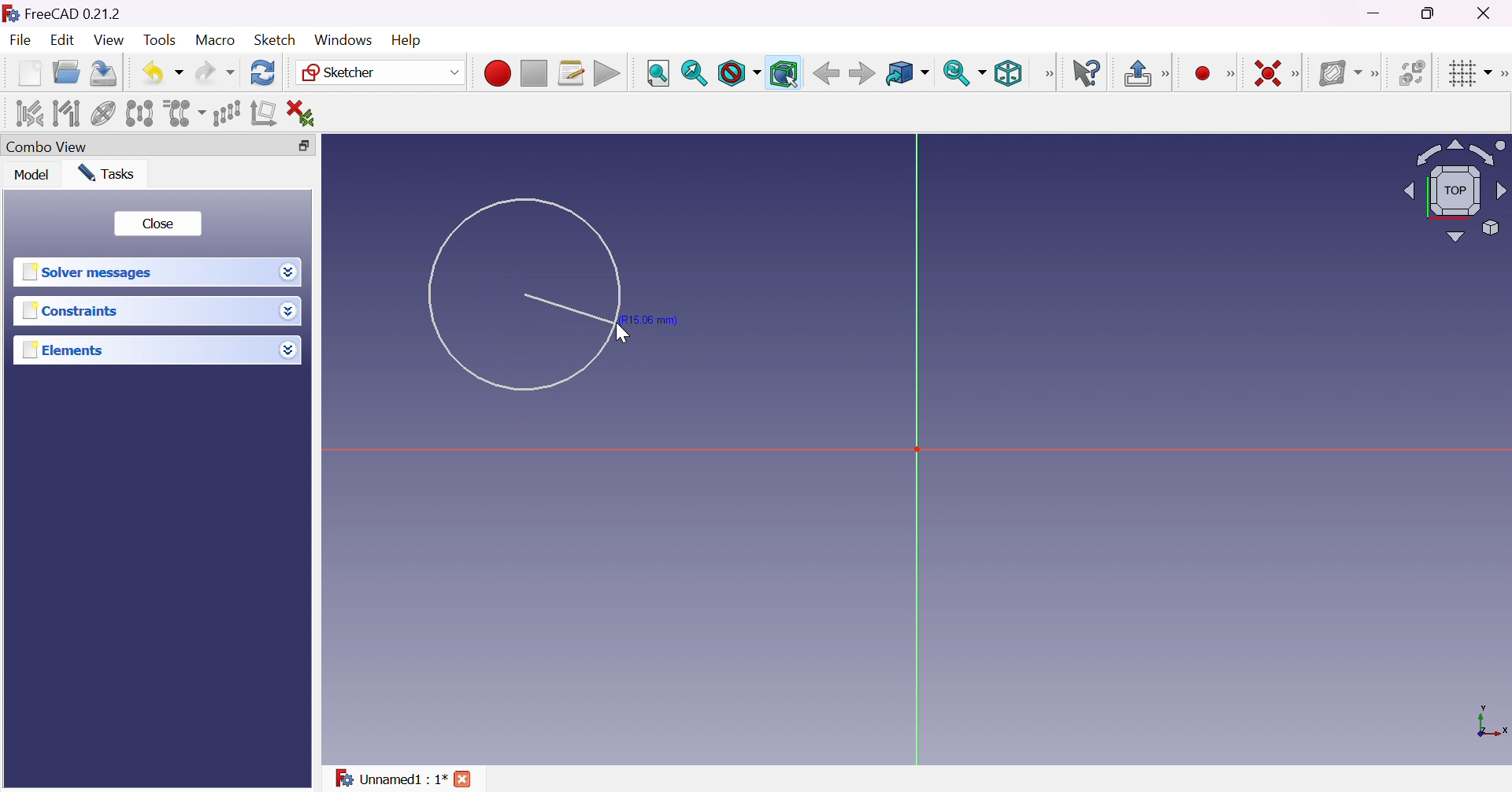 The width and height of the screenshot is (1512, 792). I want to click on Isometric, so click(1007, 75).